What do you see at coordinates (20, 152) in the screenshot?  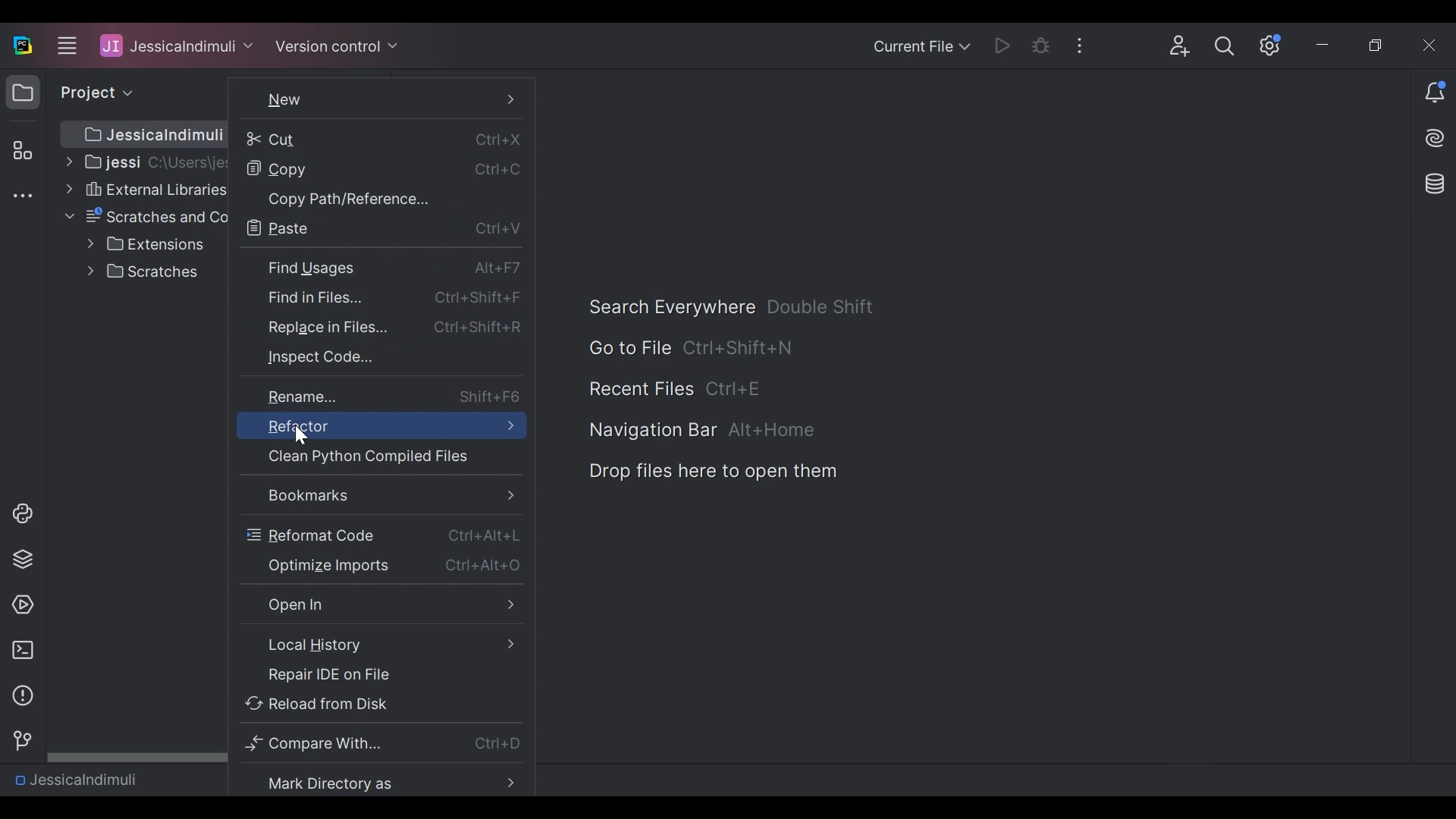 I see `Structure` at bounding box center [20, 152].